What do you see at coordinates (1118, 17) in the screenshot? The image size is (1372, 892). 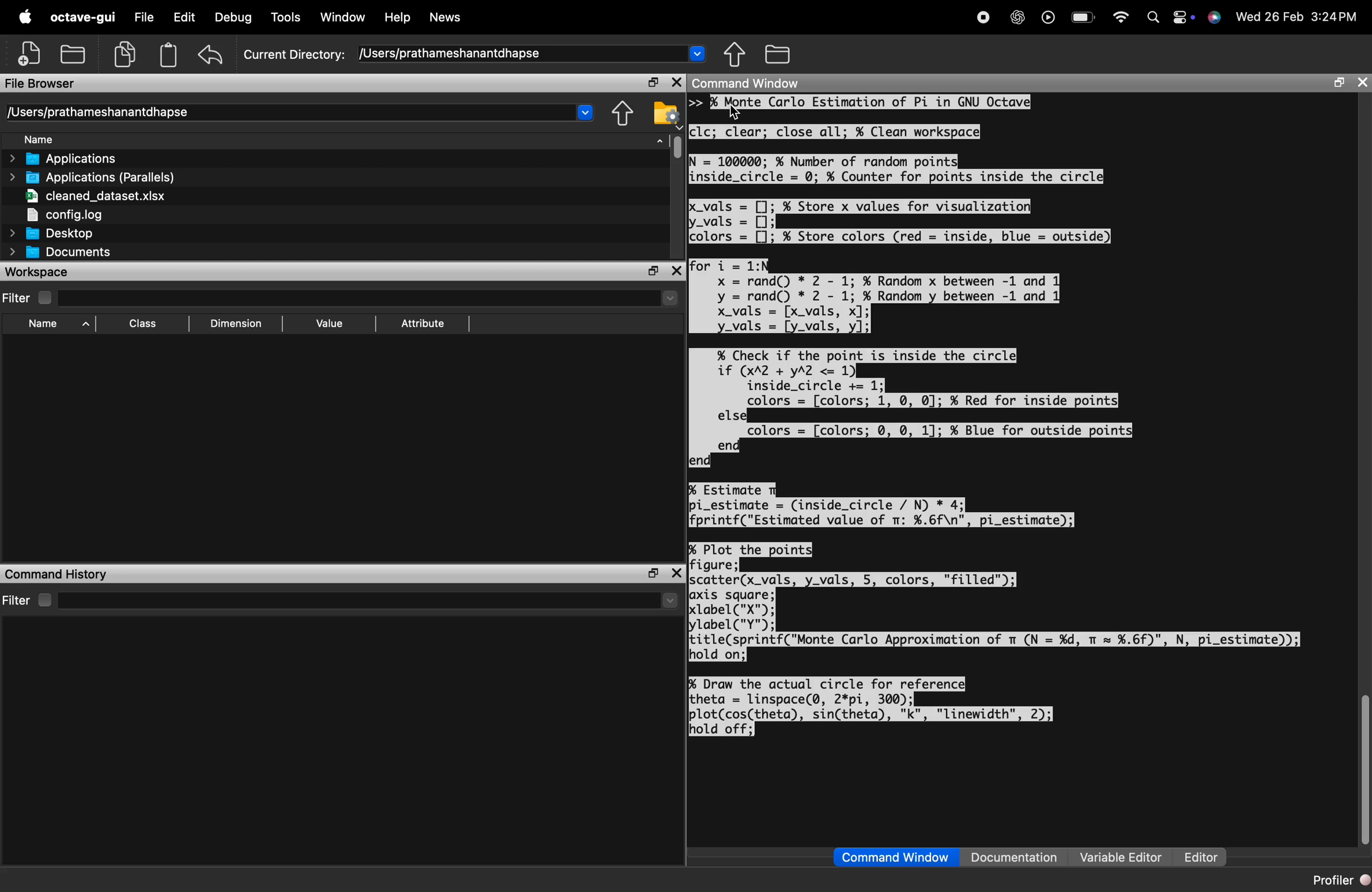 I see `wifi` at bounding box center [1118, 17].